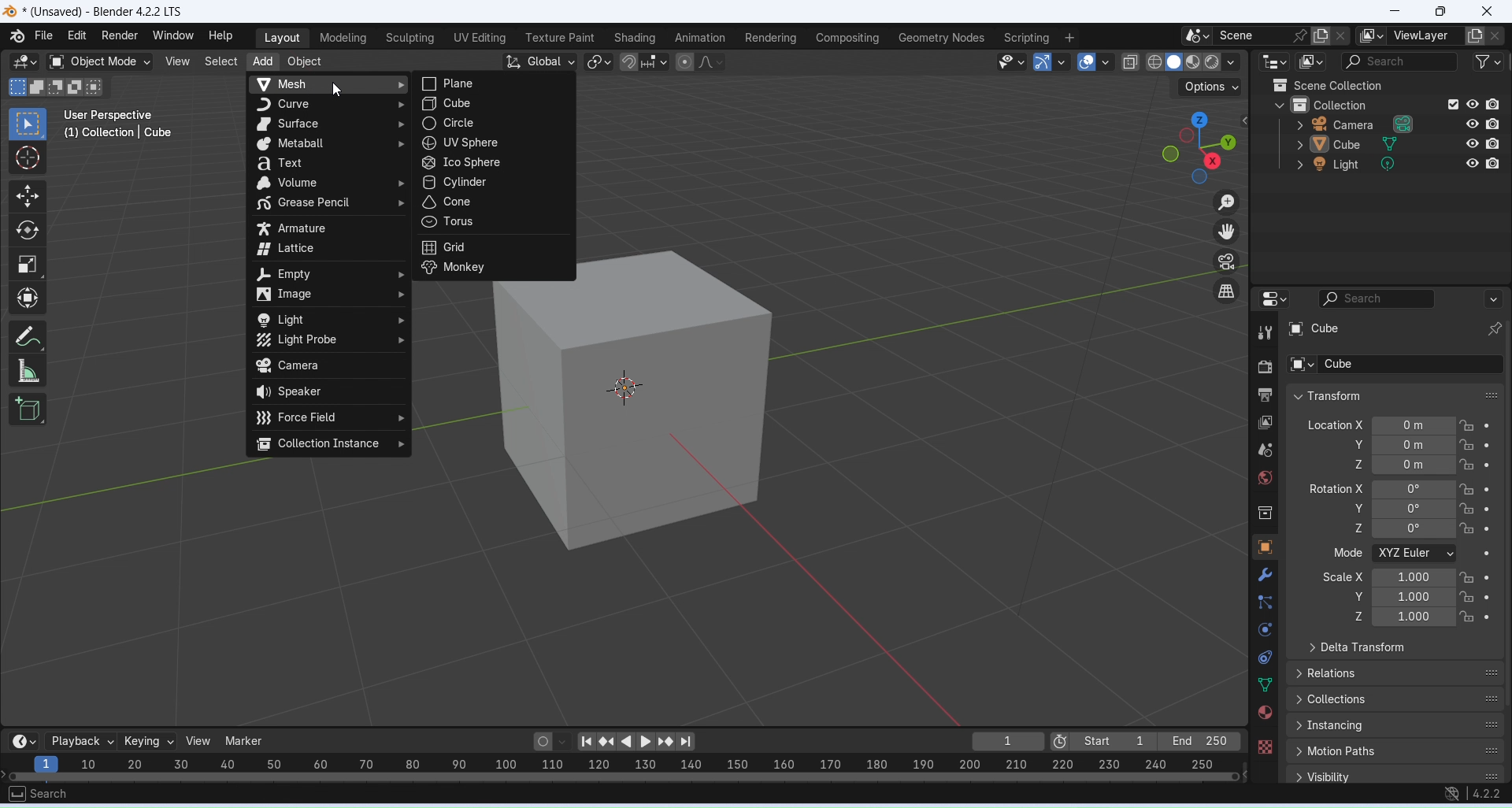  What do you see at coordinates (635, 39) in the screenshot?
I see `Shading` at bounding box center [635, 39].